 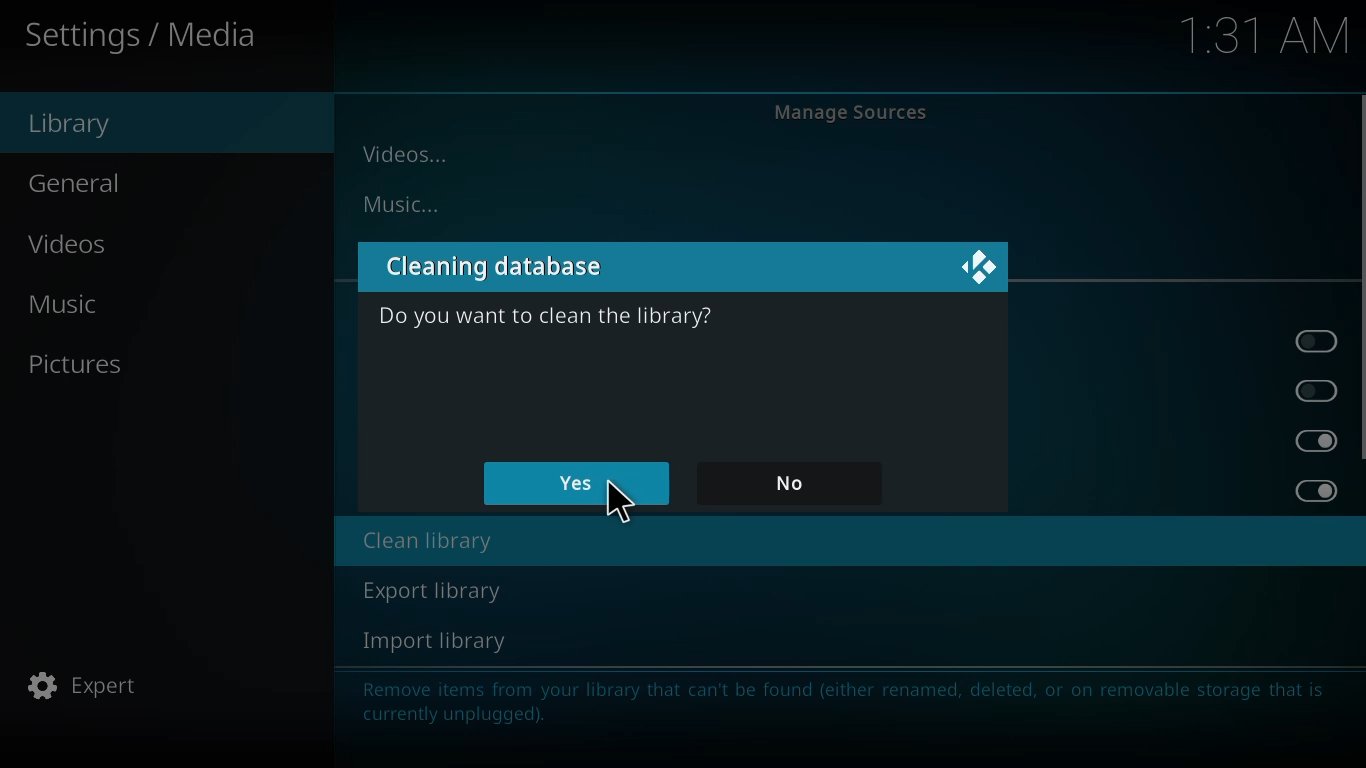 I want to click on enable, so click(x=1316, y=341).